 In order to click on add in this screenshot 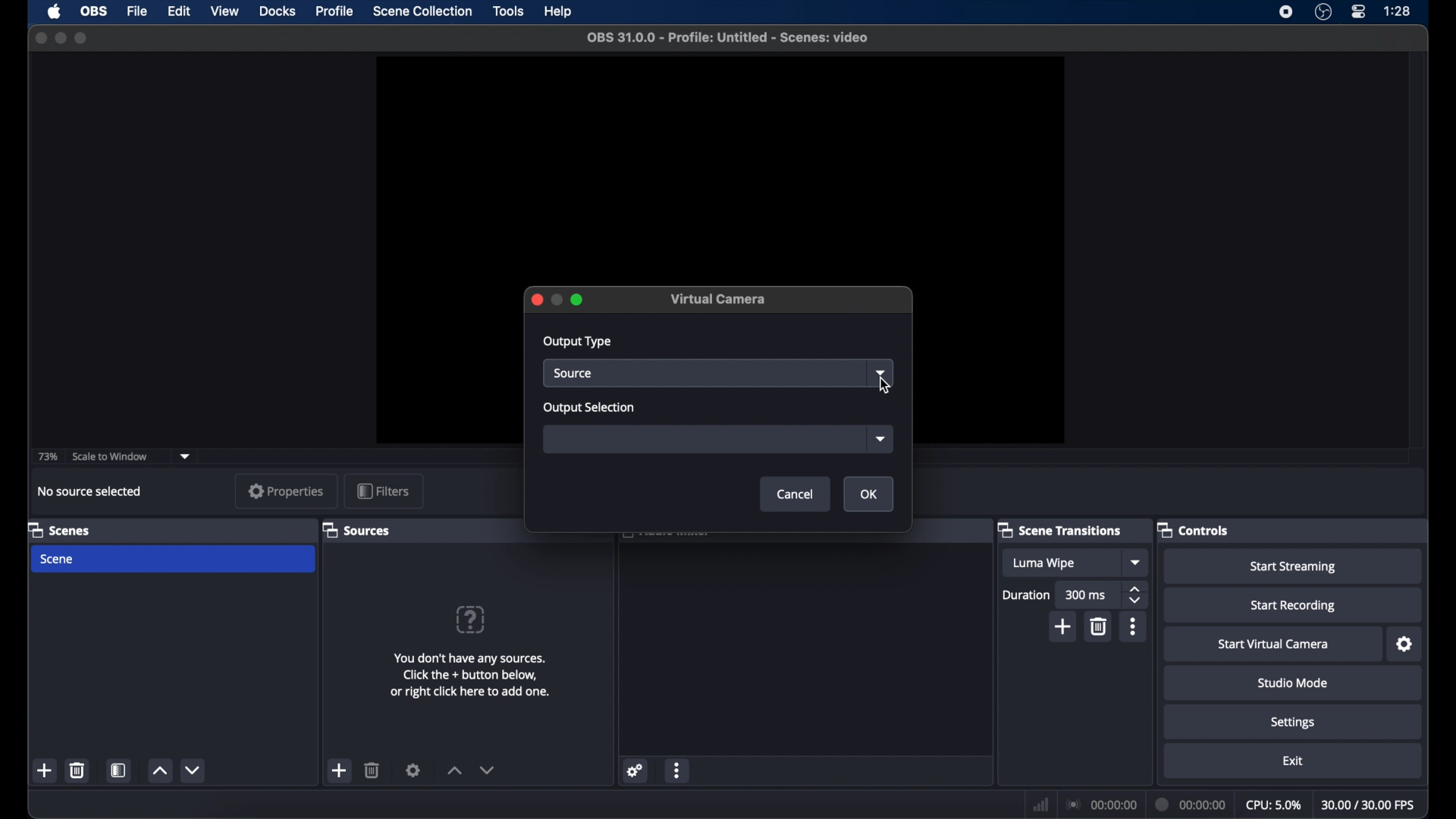, I will do `click(340, 770)`.